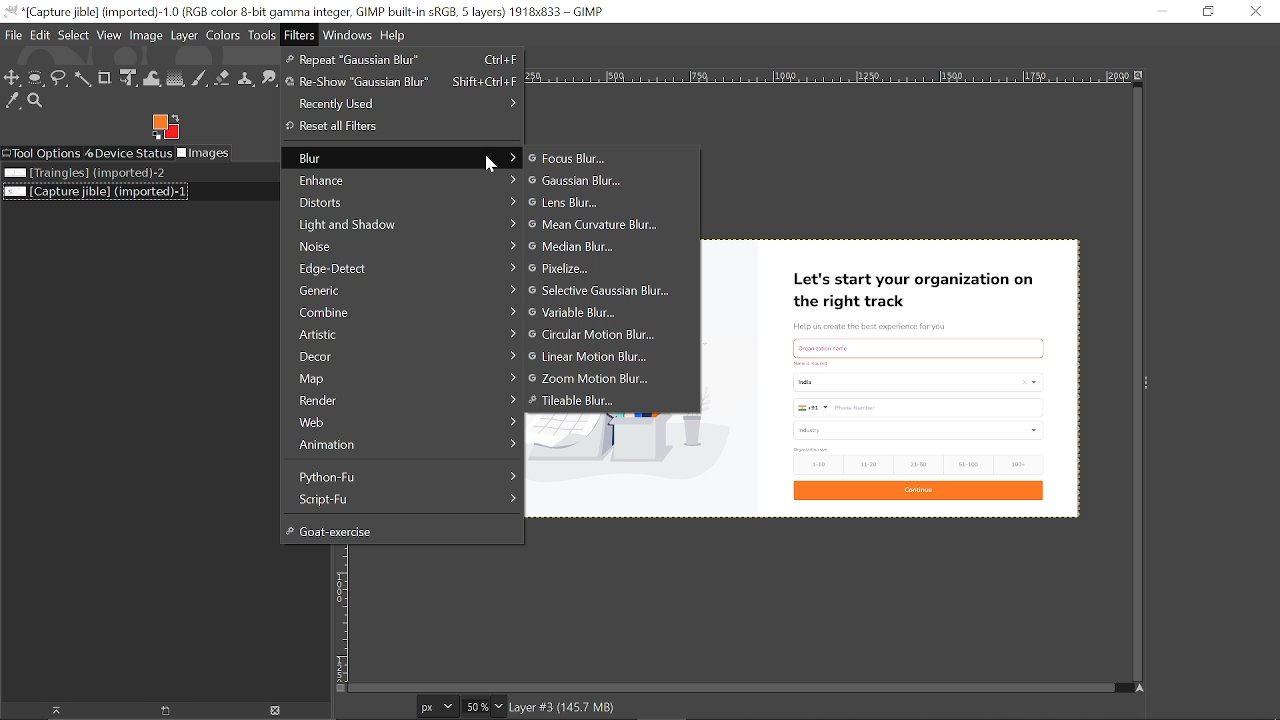 This screenshot has width=1280, height=720. What do you see at coordinates (169, 711) in the screenshot?
I see `Create a new display for this image` at bounding box center [169, 711].